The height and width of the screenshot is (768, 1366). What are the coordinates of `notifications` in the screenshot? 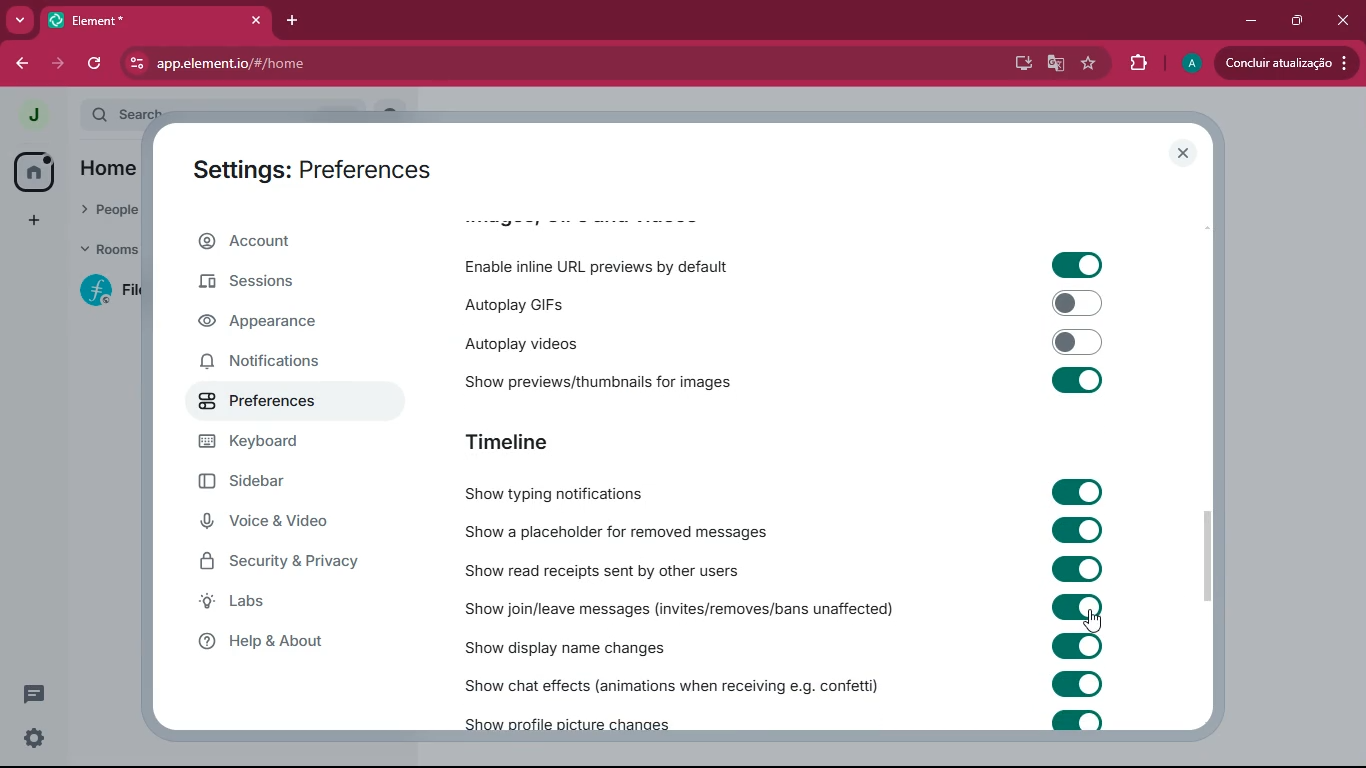 It's located at (275, 362).